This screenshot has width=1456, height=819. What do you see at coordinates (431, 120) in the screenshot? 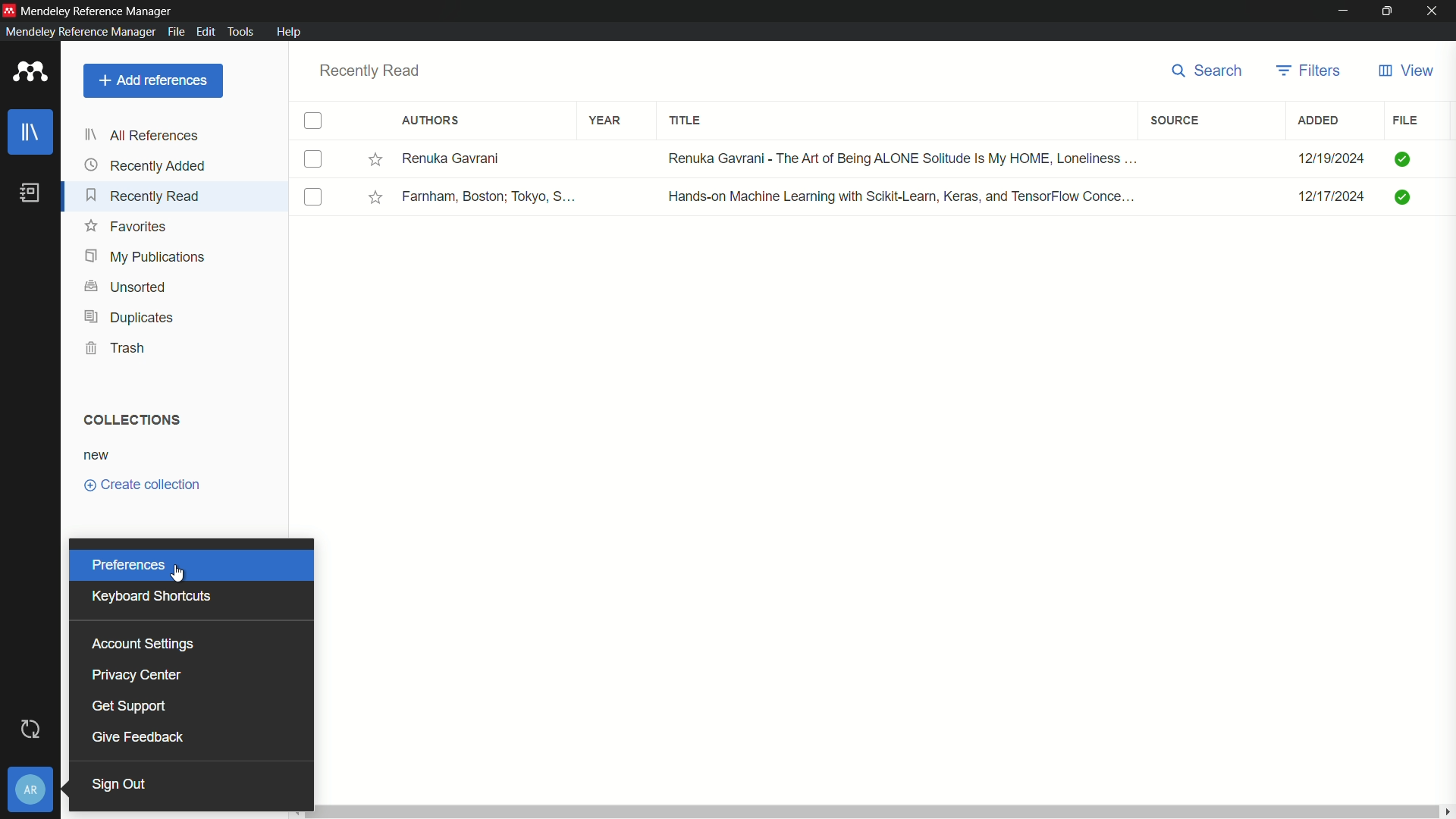
I see `authors` at bounding box center [431, 120].